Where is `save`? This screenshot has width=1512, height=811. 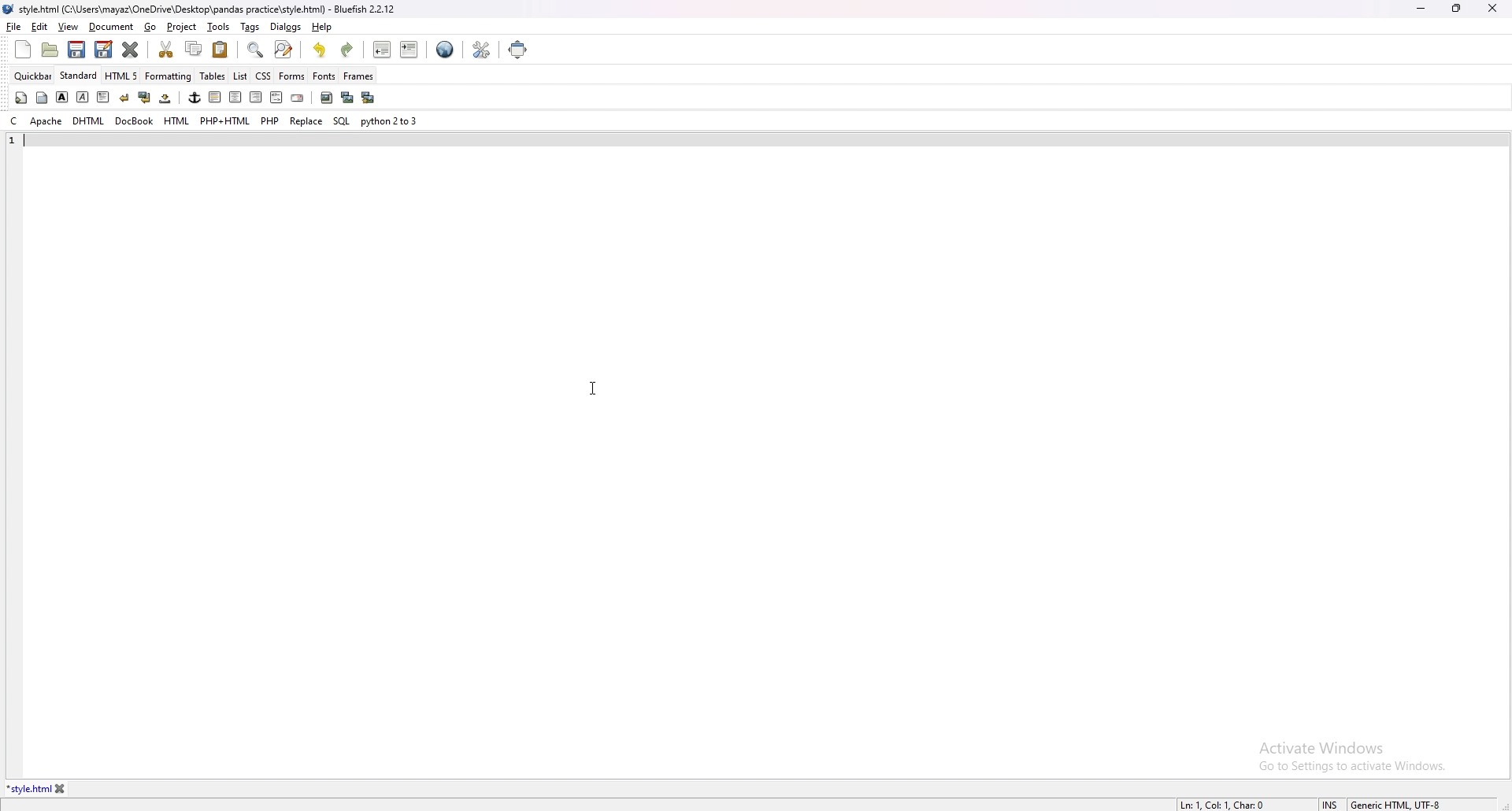
save is located at coordinates (77, 50).